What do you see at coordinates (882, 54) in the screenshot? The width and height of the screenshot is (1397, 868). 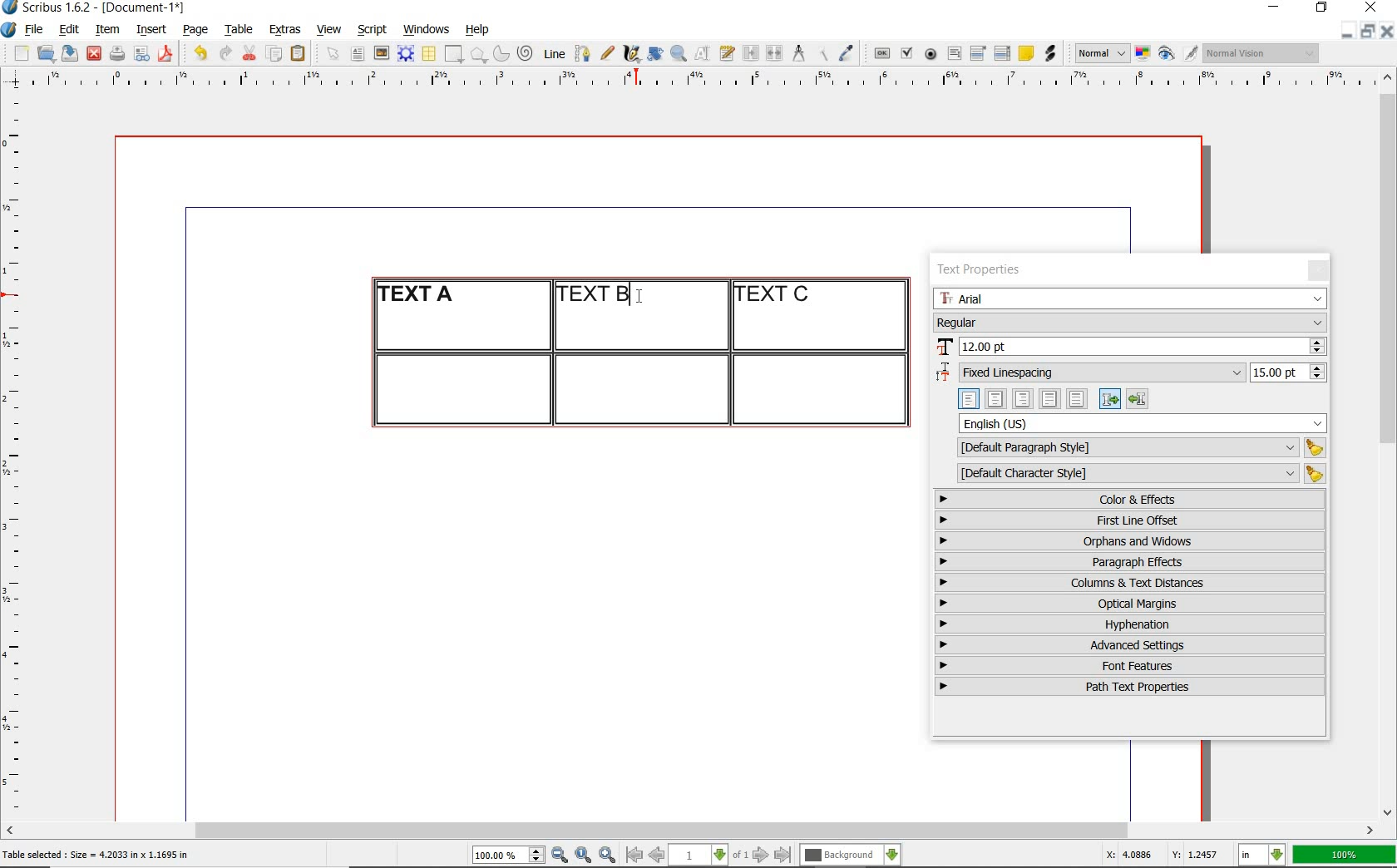 I see `pdf push button` at bounding box center [882, 54].